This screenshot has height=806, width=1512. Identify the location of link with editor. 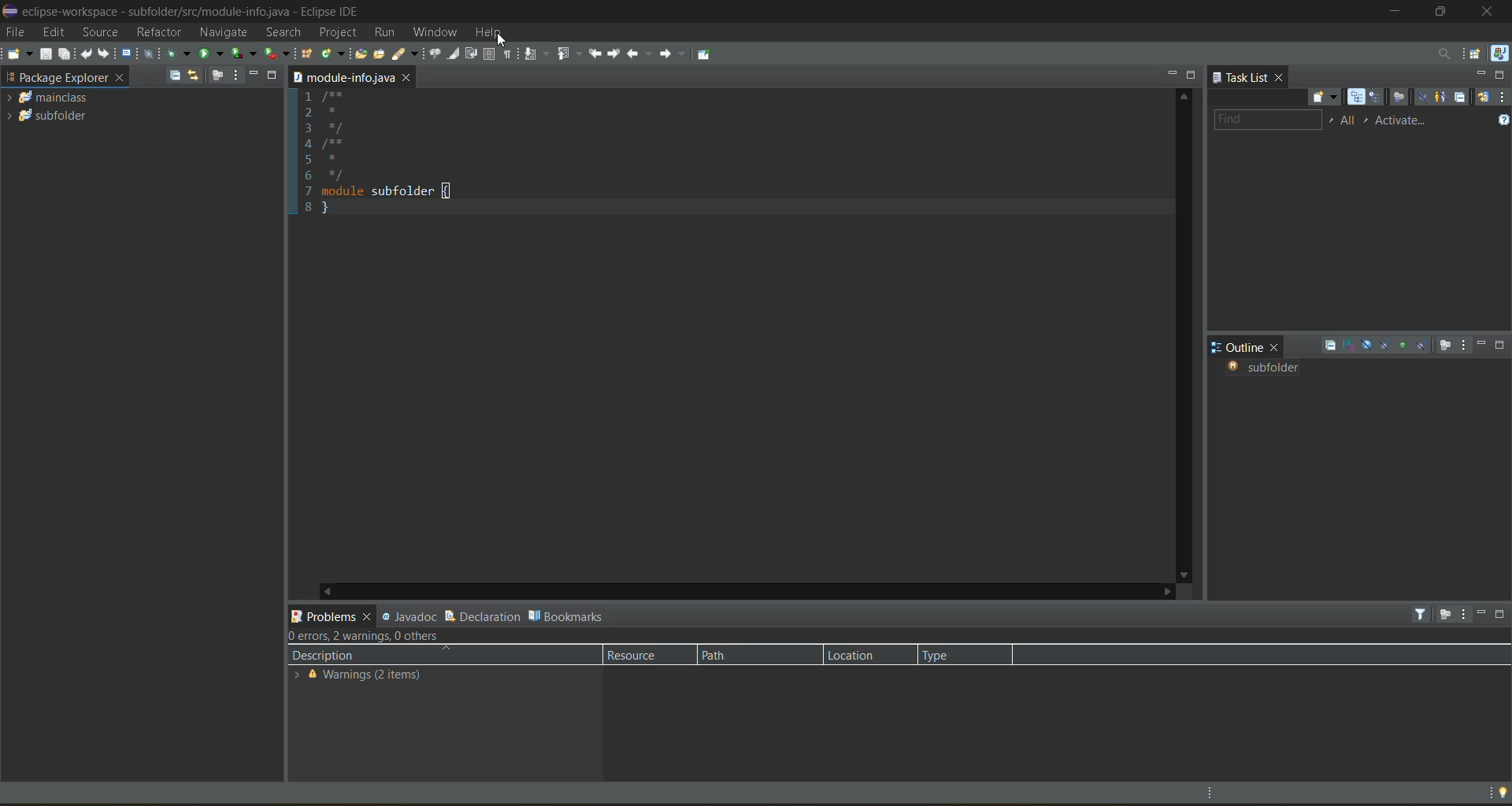
(194, 76).